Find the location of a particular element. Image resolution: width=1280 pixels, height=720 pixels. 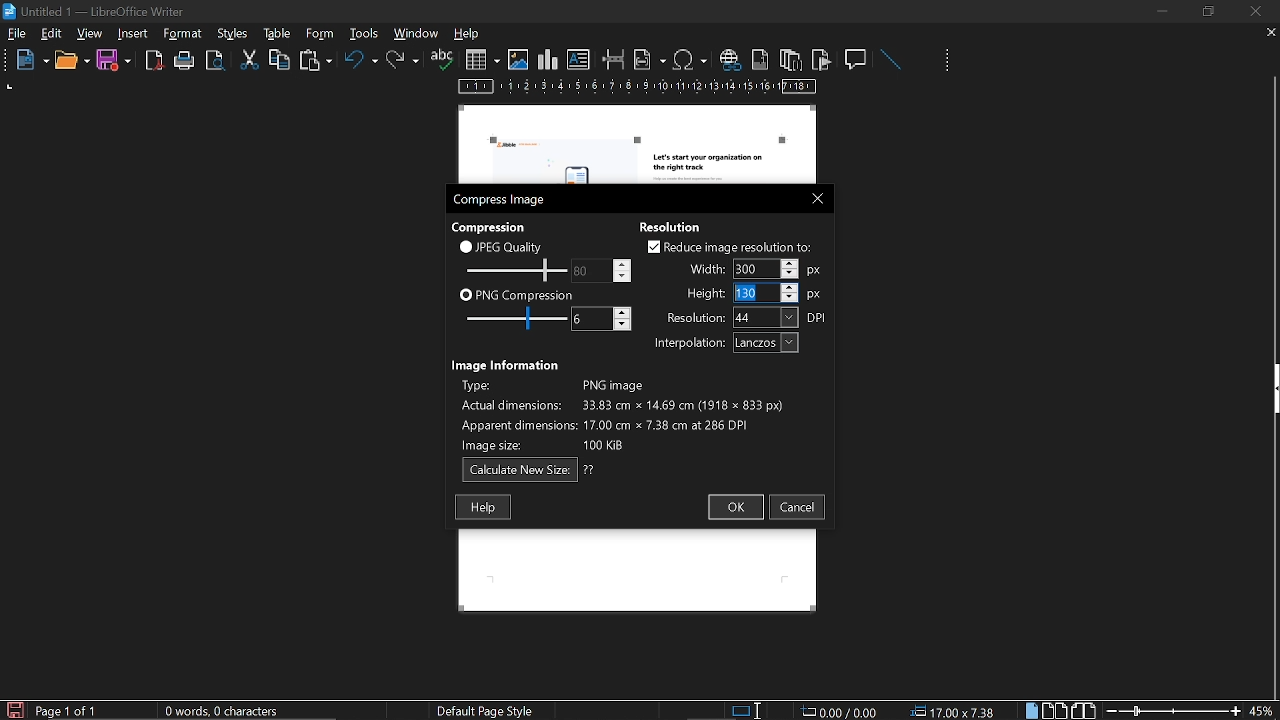

print is located at coordinates (185, 61).